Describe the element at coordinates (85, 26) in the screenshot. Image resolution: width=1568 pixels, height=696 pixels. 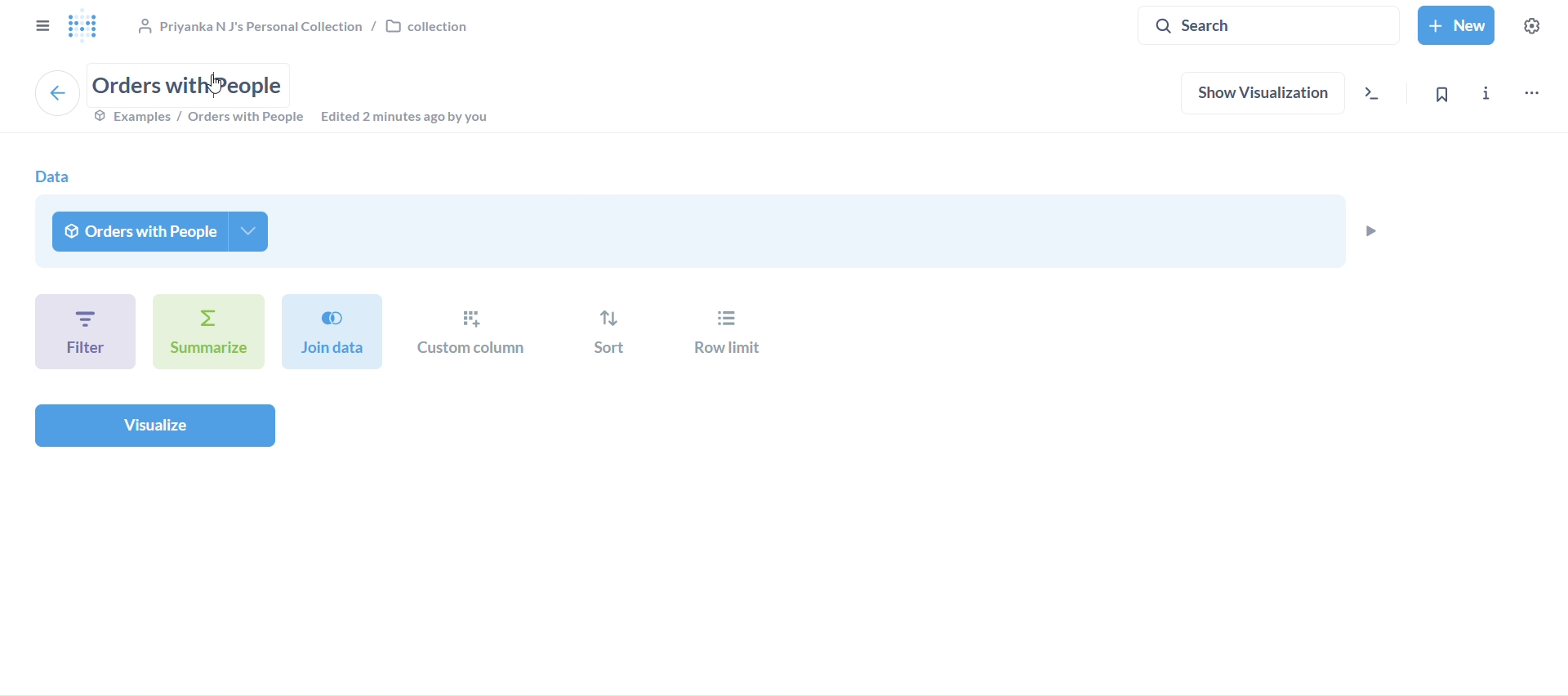
I see `logo` at that location.